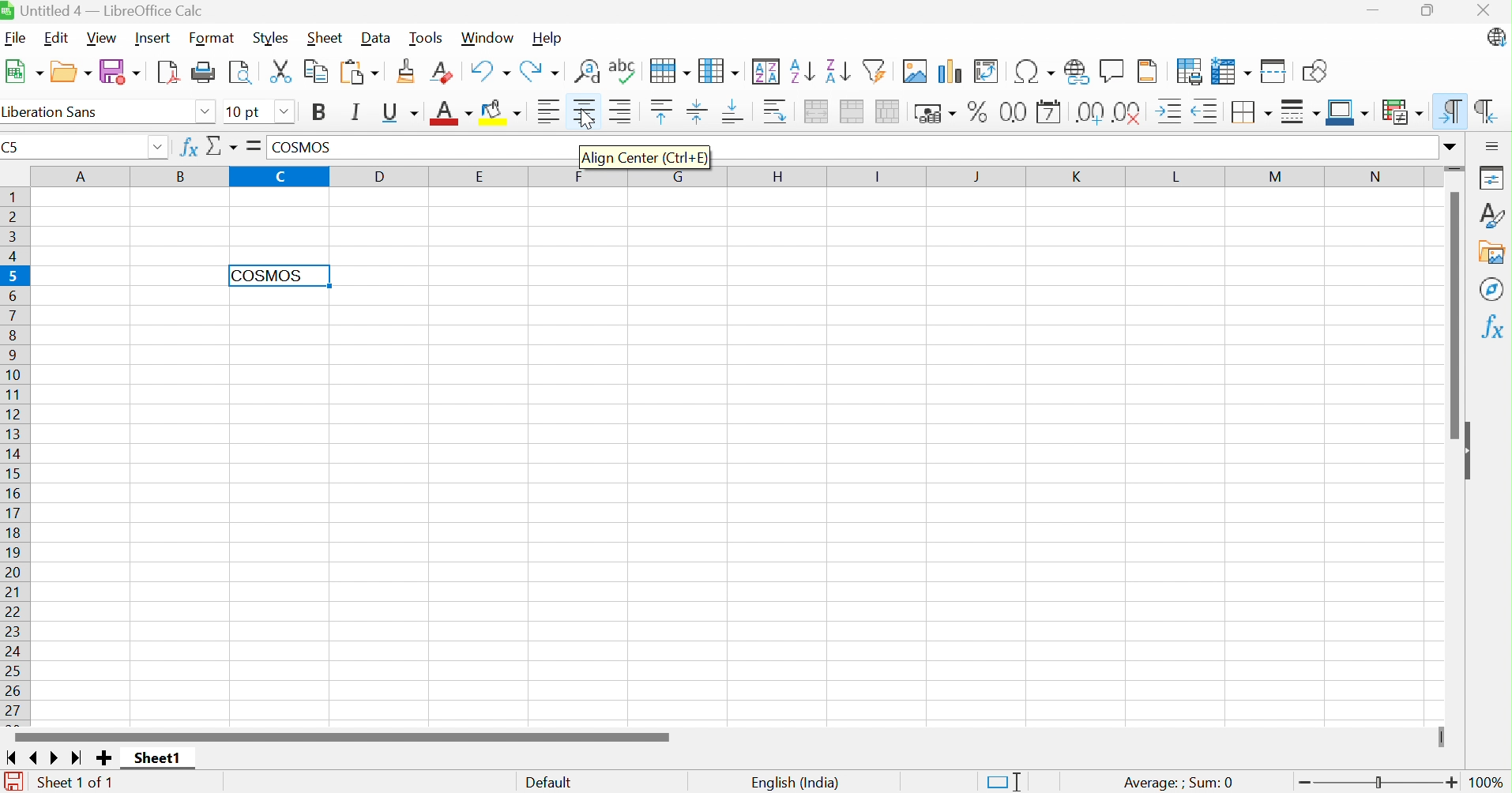 The height and width of the screenshot is (793, 1512). Describe the element at coordinates (504, 114) in the screenshot. I see `Background Color` at that location.